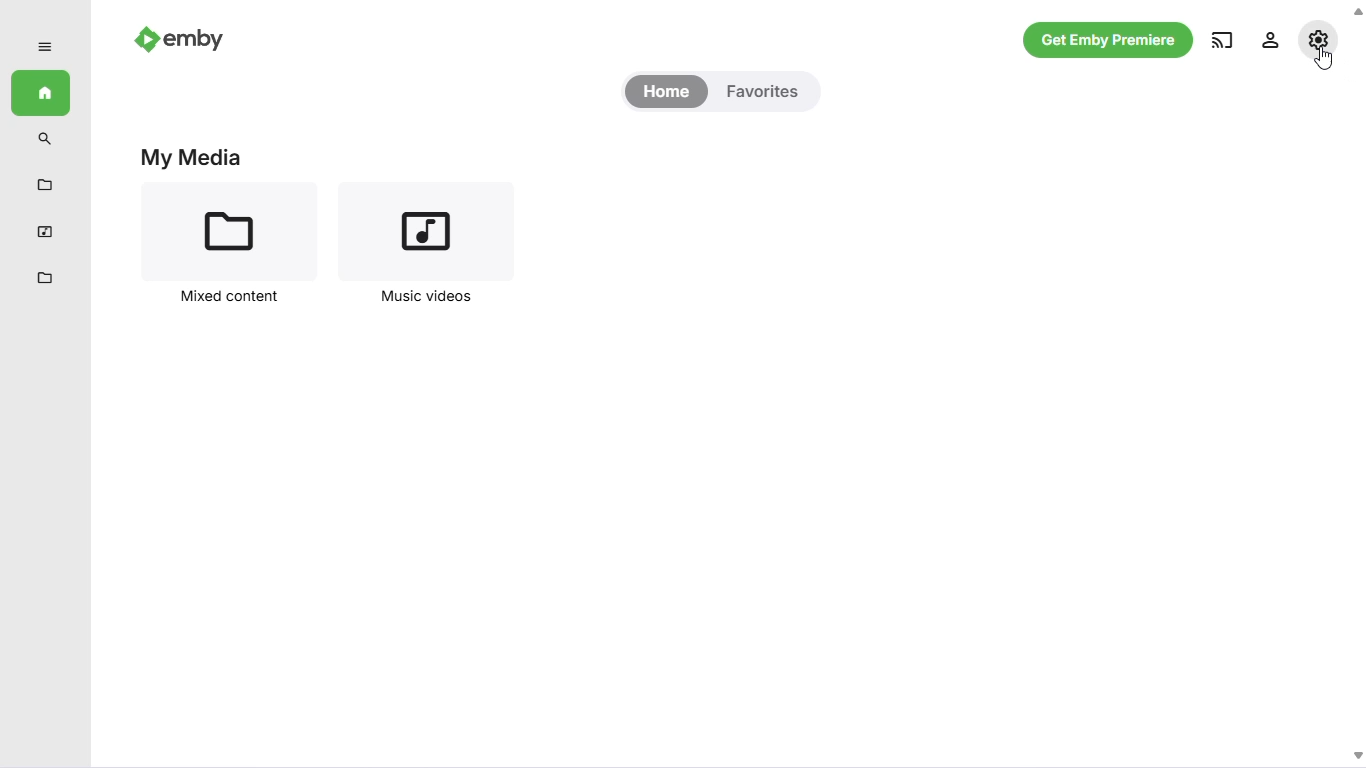  What do you see at coordinates (1358, 385) in the screenshot?
I see `scrollbar` at bounding box center [1358, 385].